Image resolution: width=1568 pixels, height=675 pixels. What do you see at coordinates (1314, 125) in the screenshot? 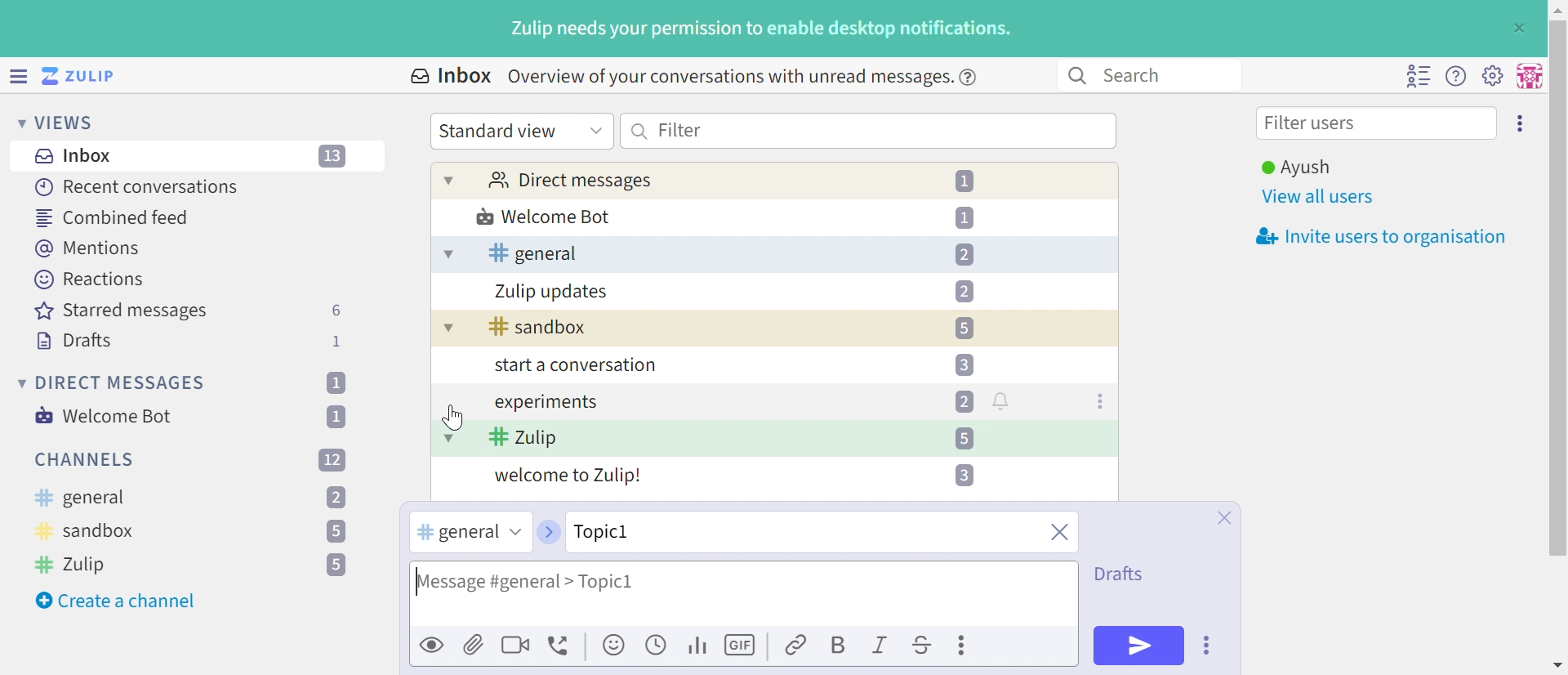
I see `Filter users` at bounding box center [1314, 125].